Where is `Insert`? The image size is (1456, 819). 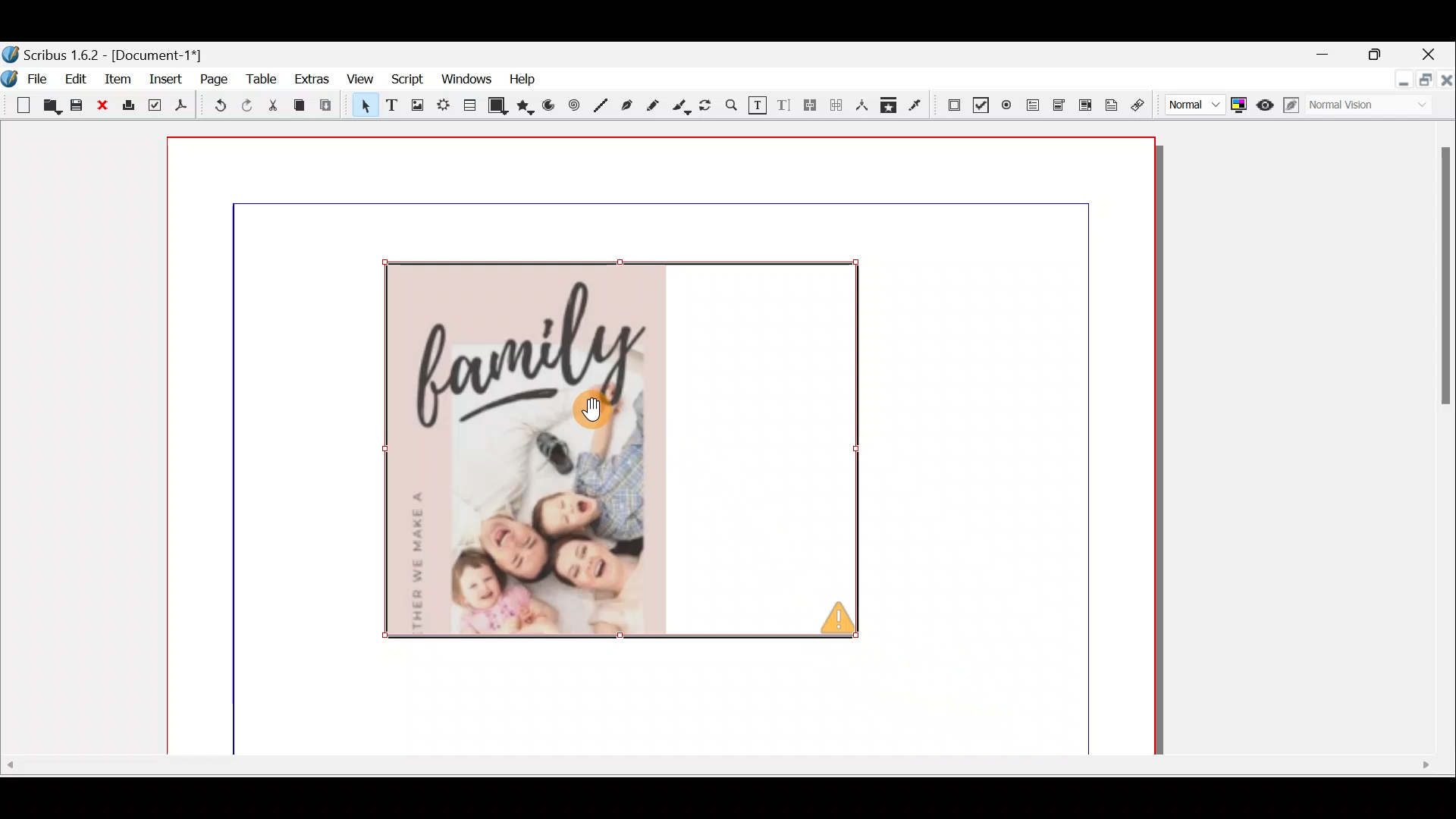 Insert is located at coordinates (165, 83).